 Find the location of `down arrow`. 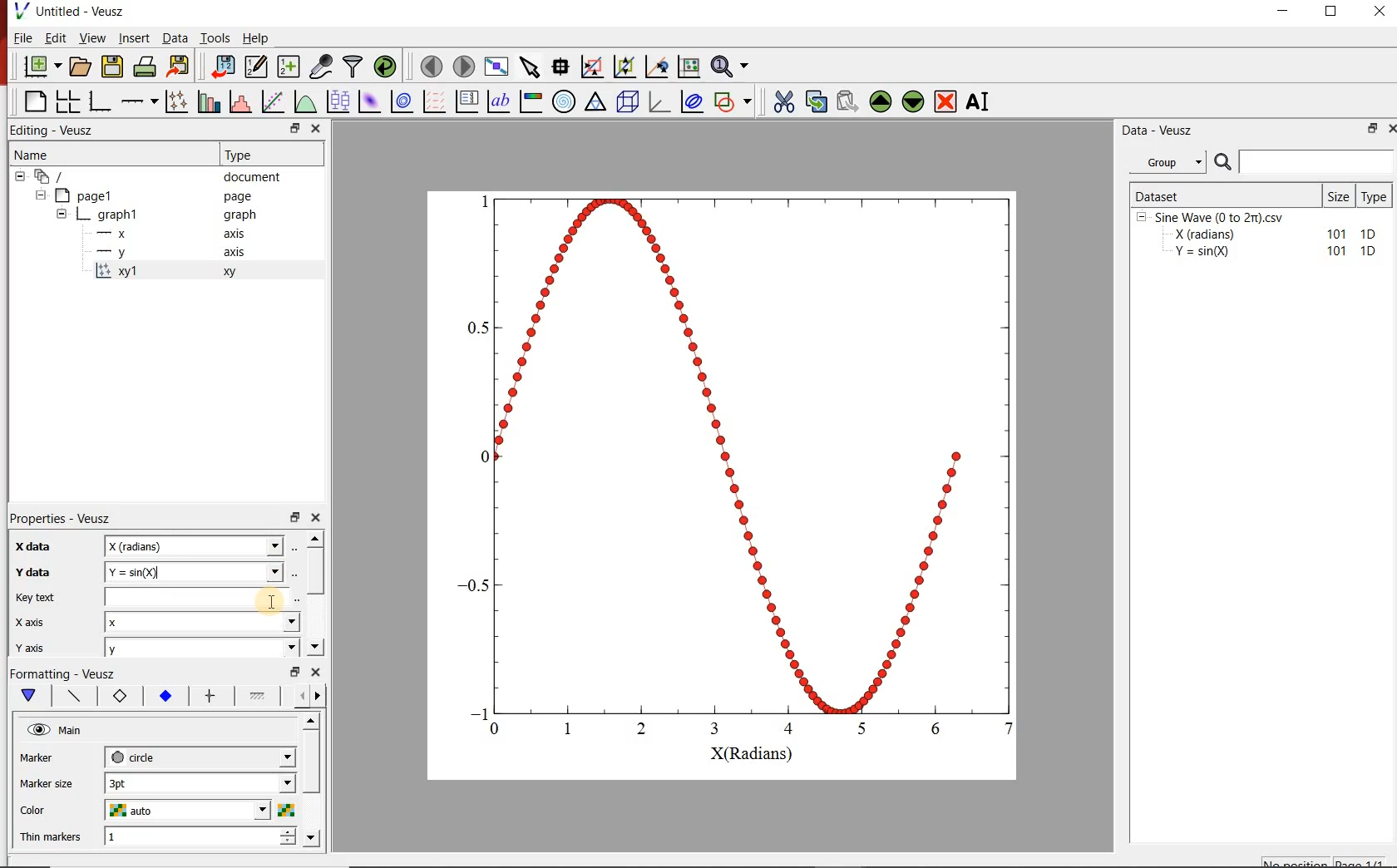

down arrow is located at coordinates (27, 696).